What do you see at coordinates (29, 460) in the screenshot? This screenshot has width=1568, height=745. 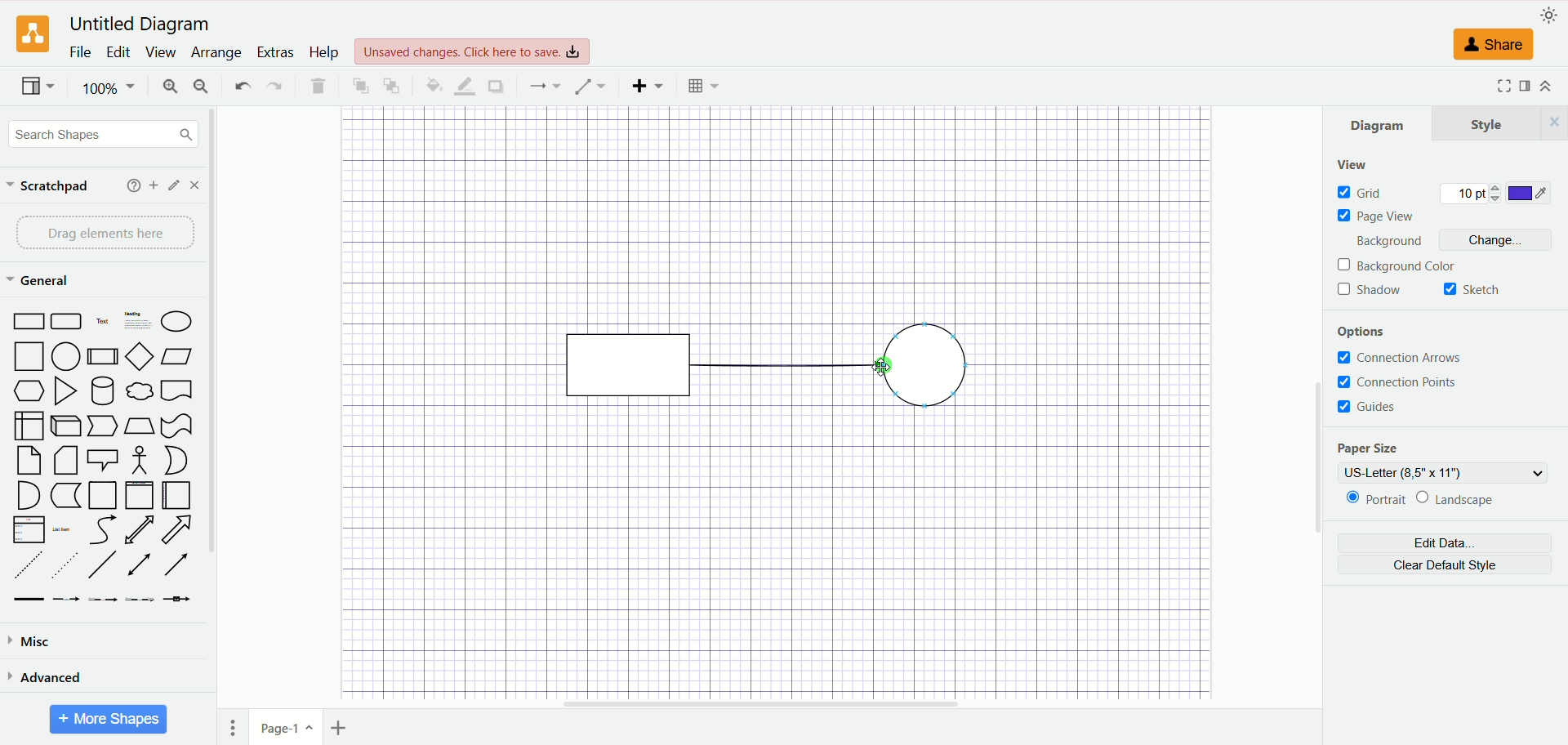 I see `Page` at bounding box center [29, 460].